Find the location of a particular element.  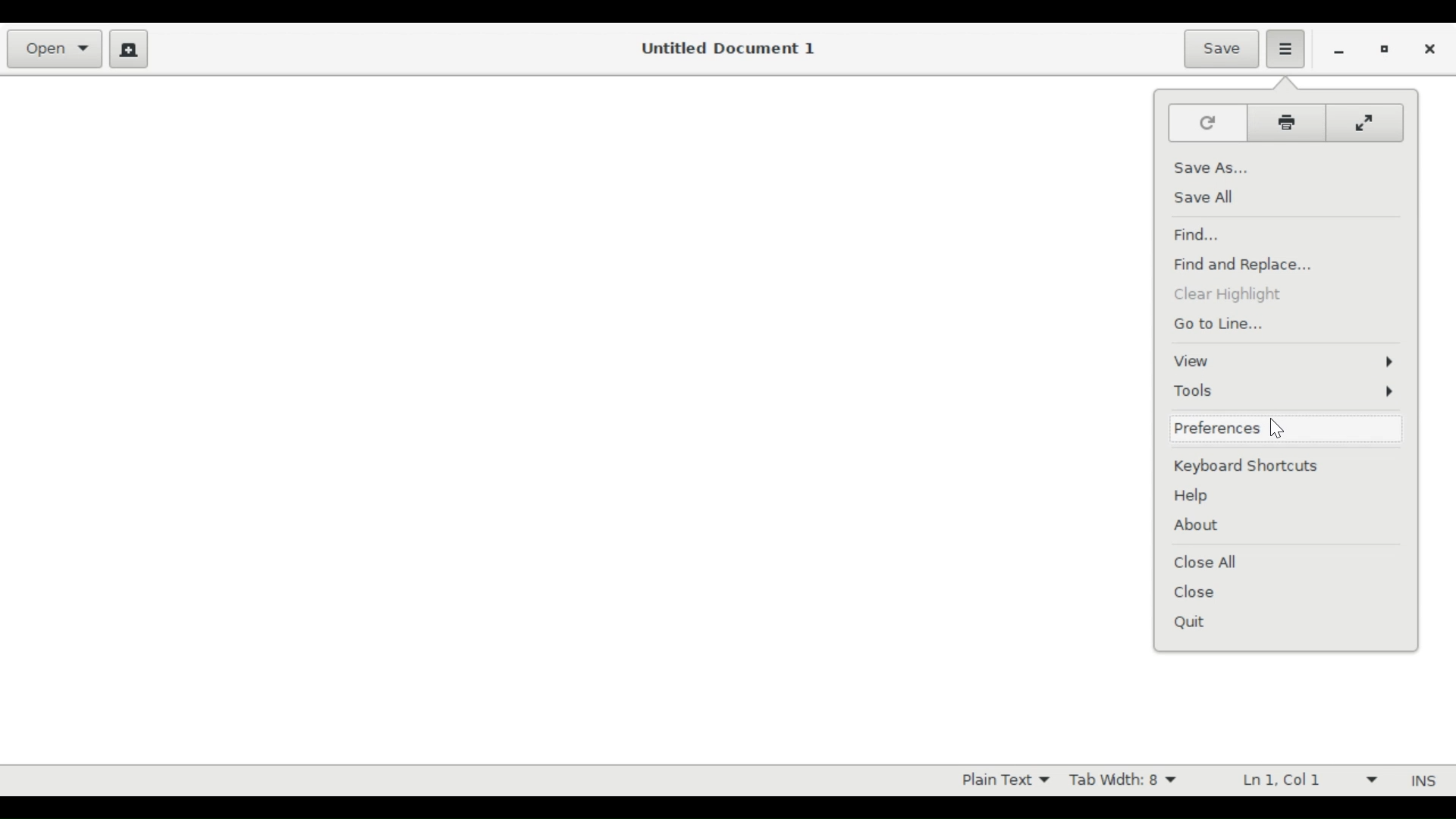

Close is located at coordinates (1195, 594).